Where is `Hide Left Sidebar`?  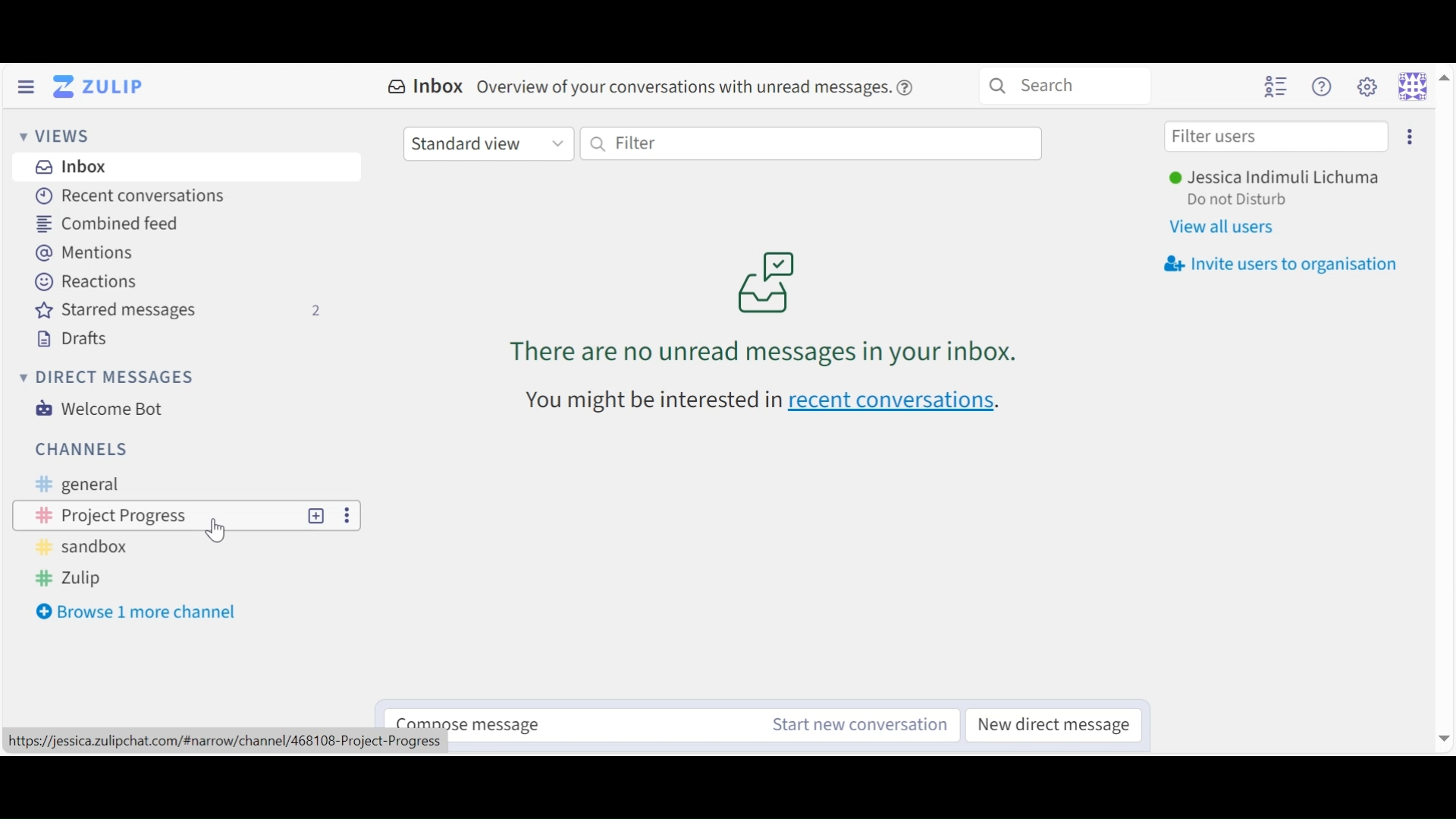 Hide Left Sidebar is located at coordinates (24, 86).